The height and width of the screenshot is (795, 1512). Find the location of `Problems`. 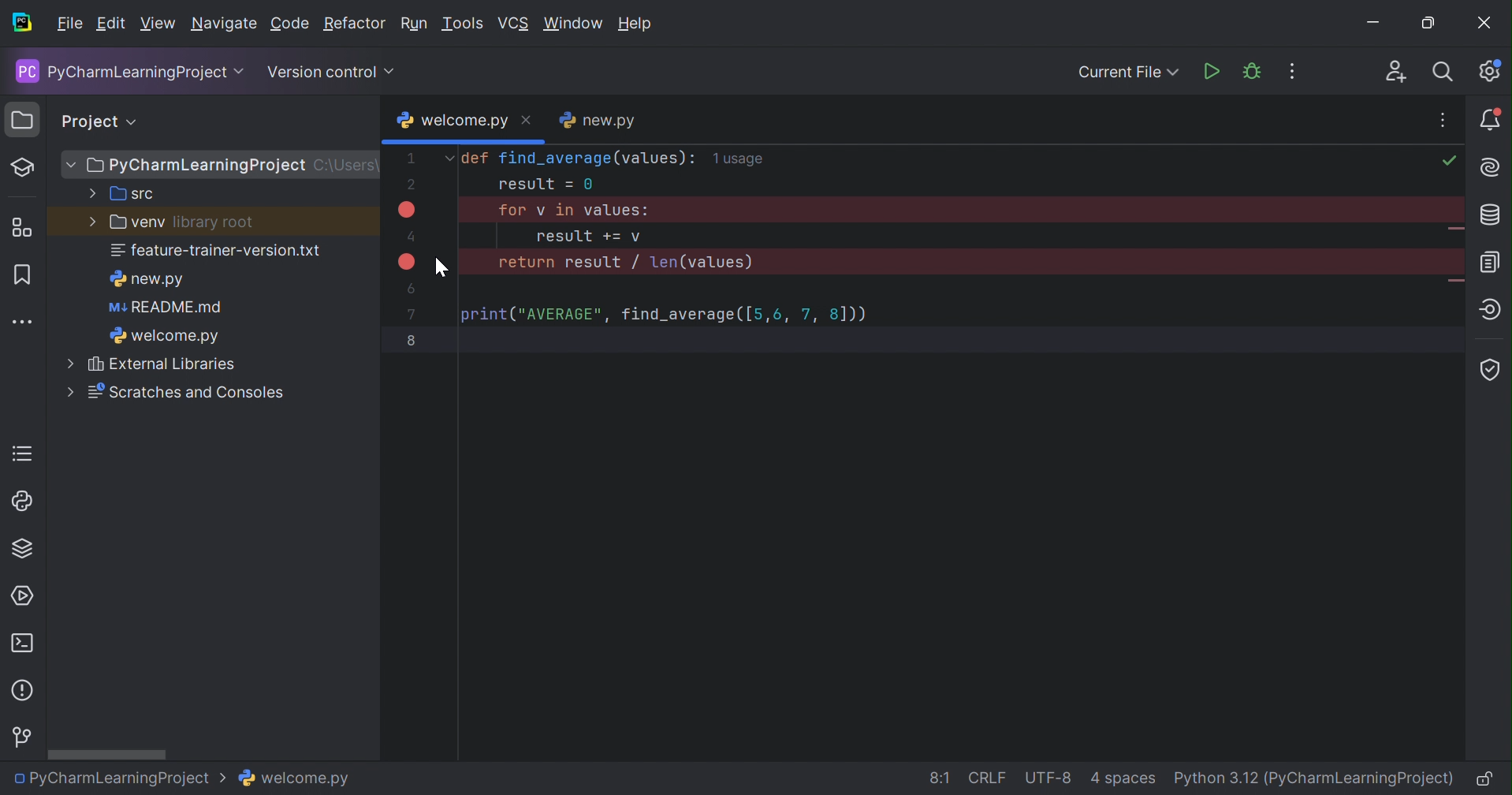

Problems is located at coordinates (24, 691).